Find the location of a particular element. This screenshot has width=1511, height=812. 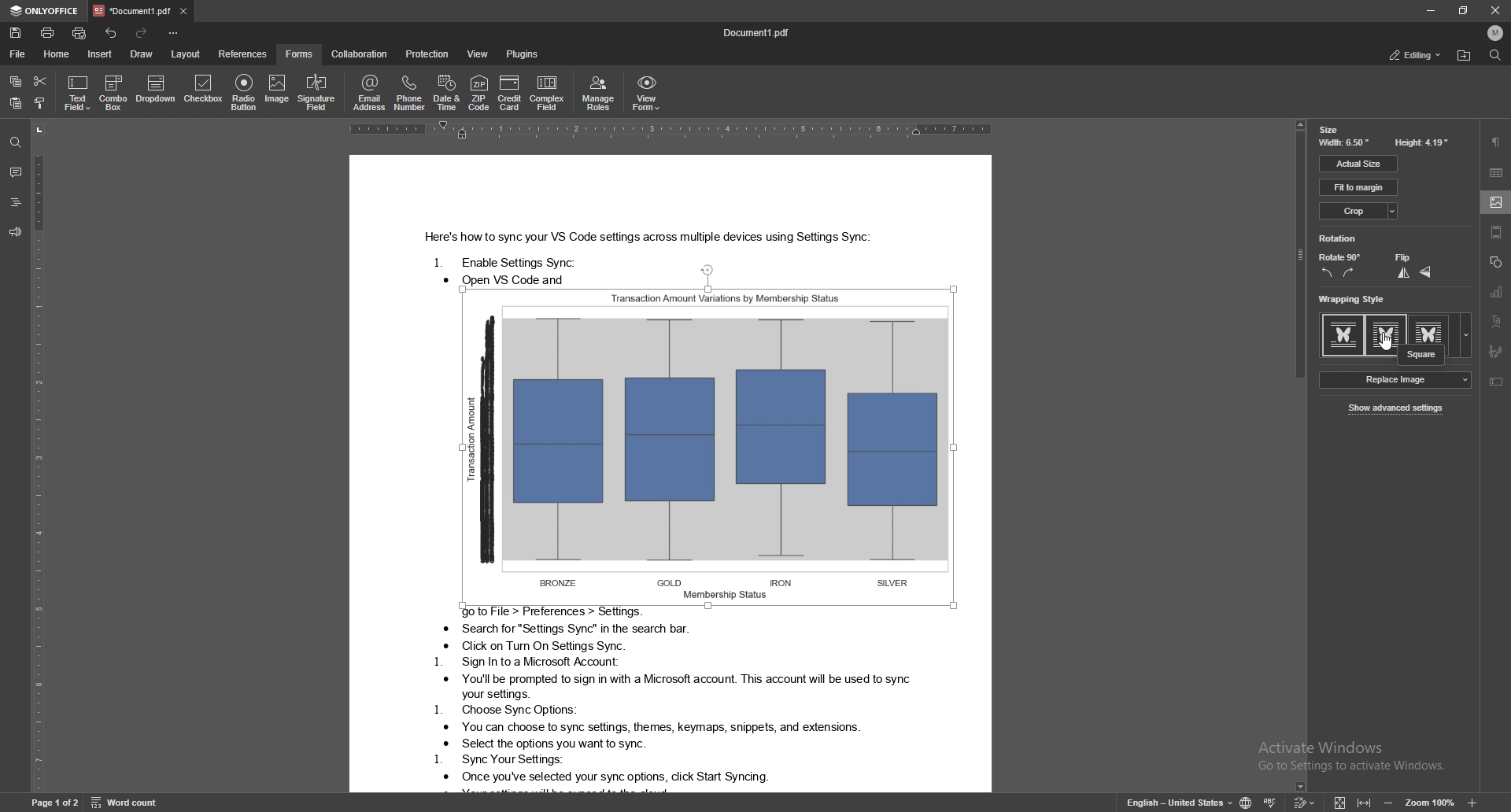

cut is located at coordinates (41, 80).